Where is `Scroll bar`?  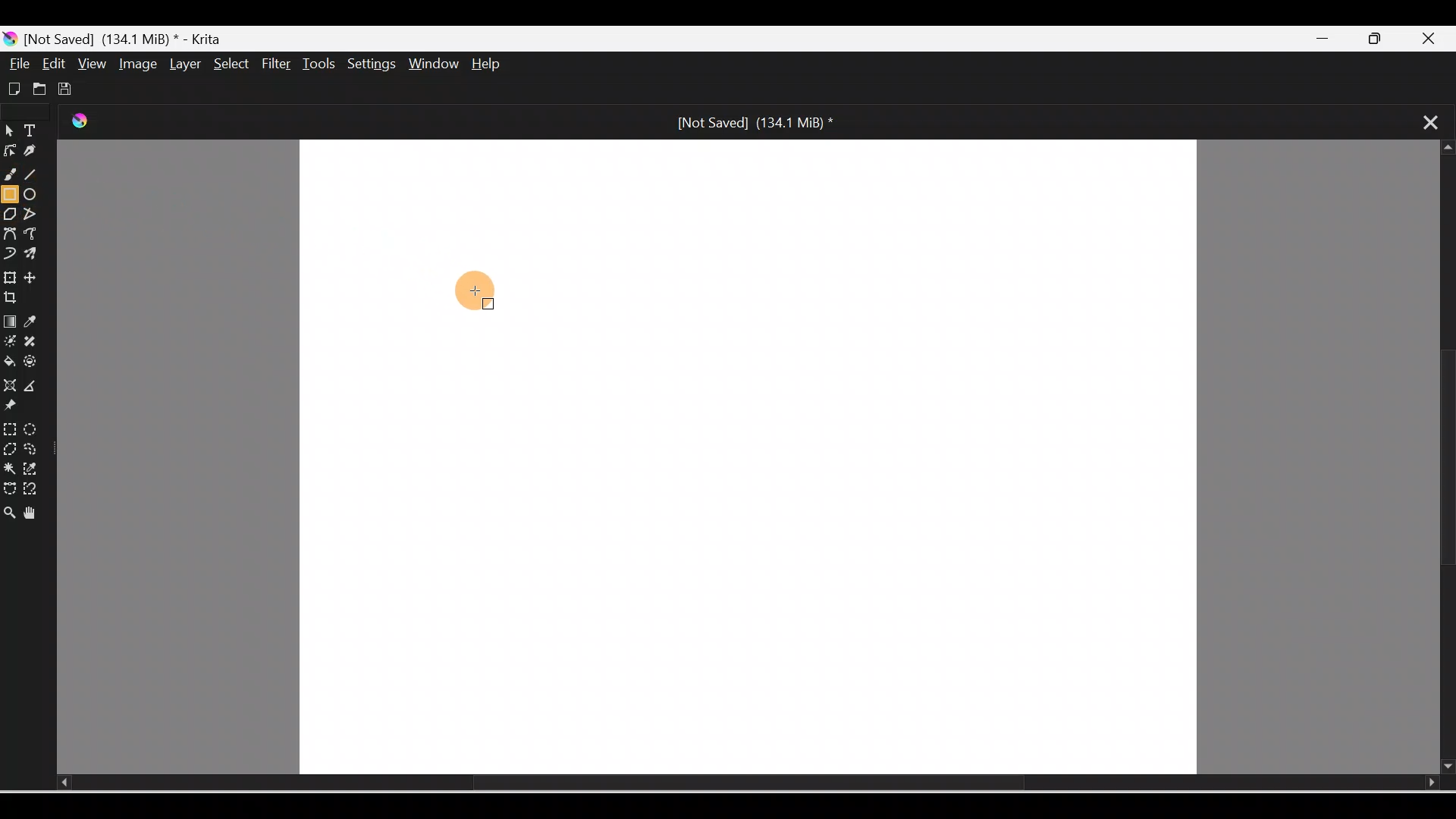 Scroll bar is located at coordinates (725, 783).